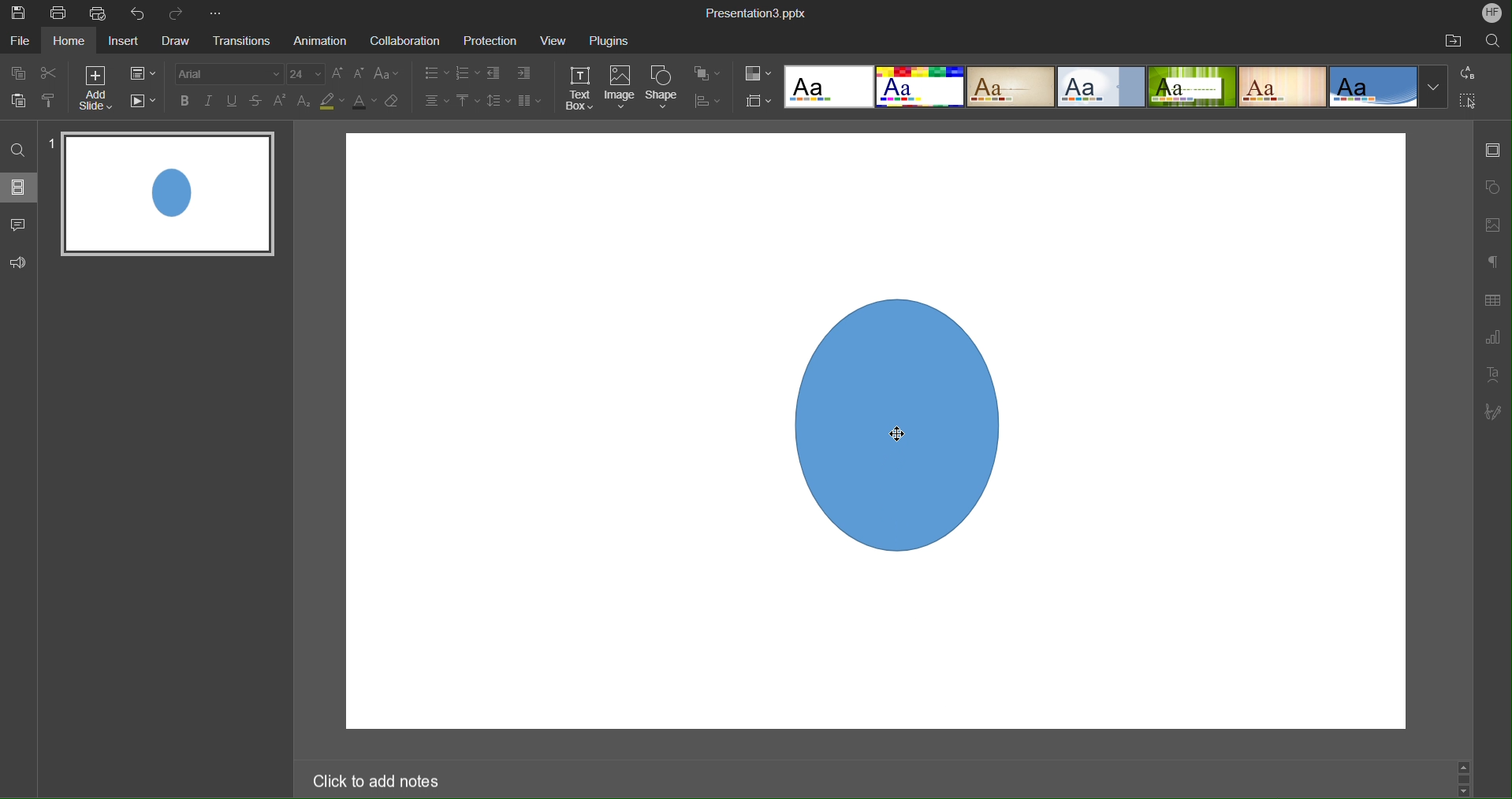  Describe the element at coordinates (58, 12) in the screenshot. I see `Print` at that location.